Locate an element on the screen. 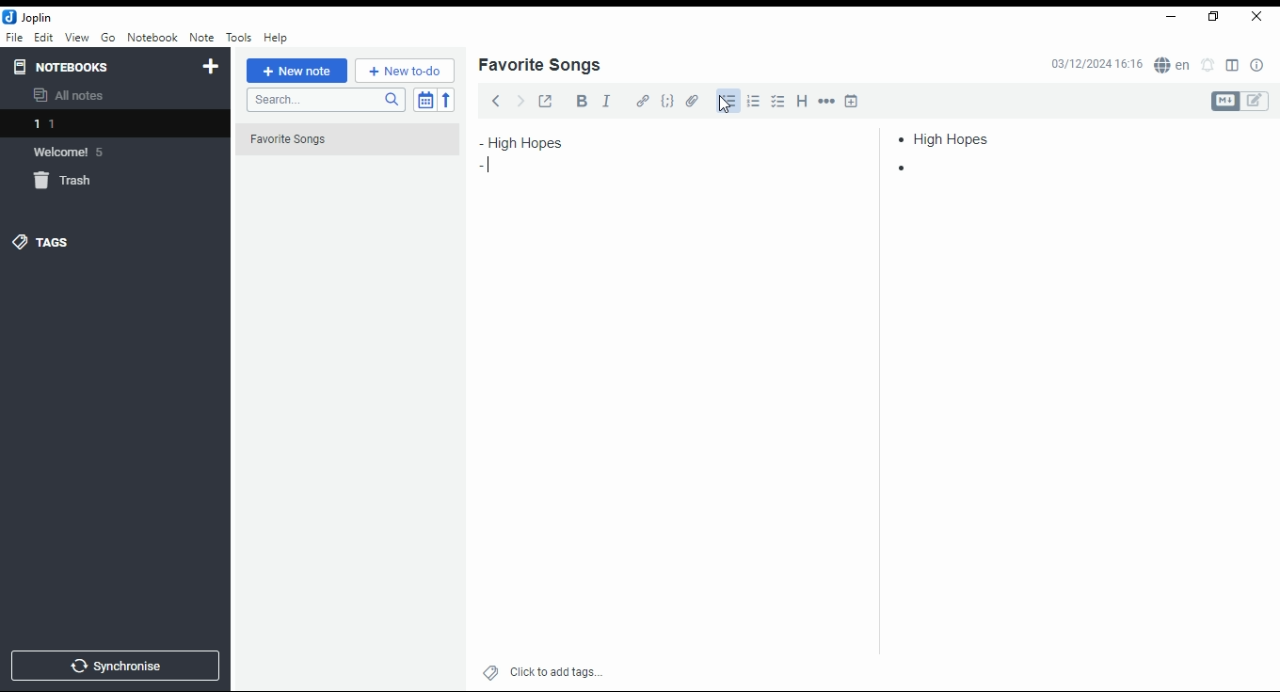 This screenshot has height=692, width=1280. high hopes is located at coordinates (547, 143).